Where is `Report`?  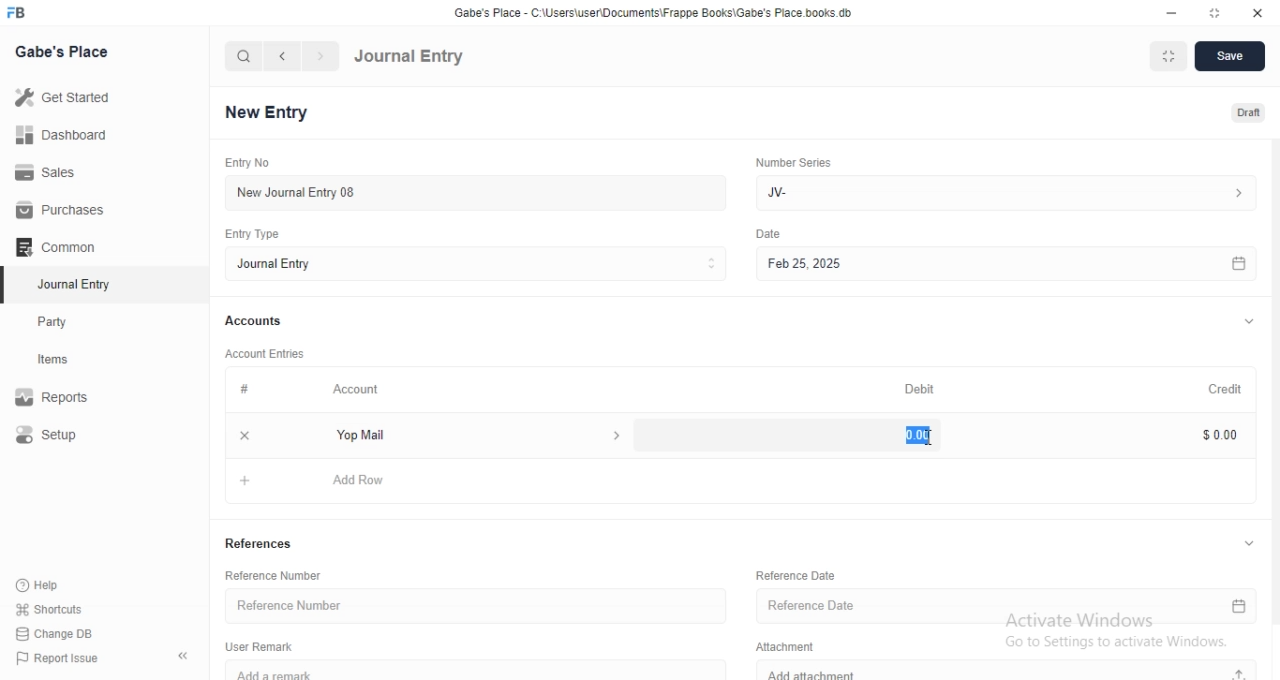
Report is located at coordinates (67, 397).